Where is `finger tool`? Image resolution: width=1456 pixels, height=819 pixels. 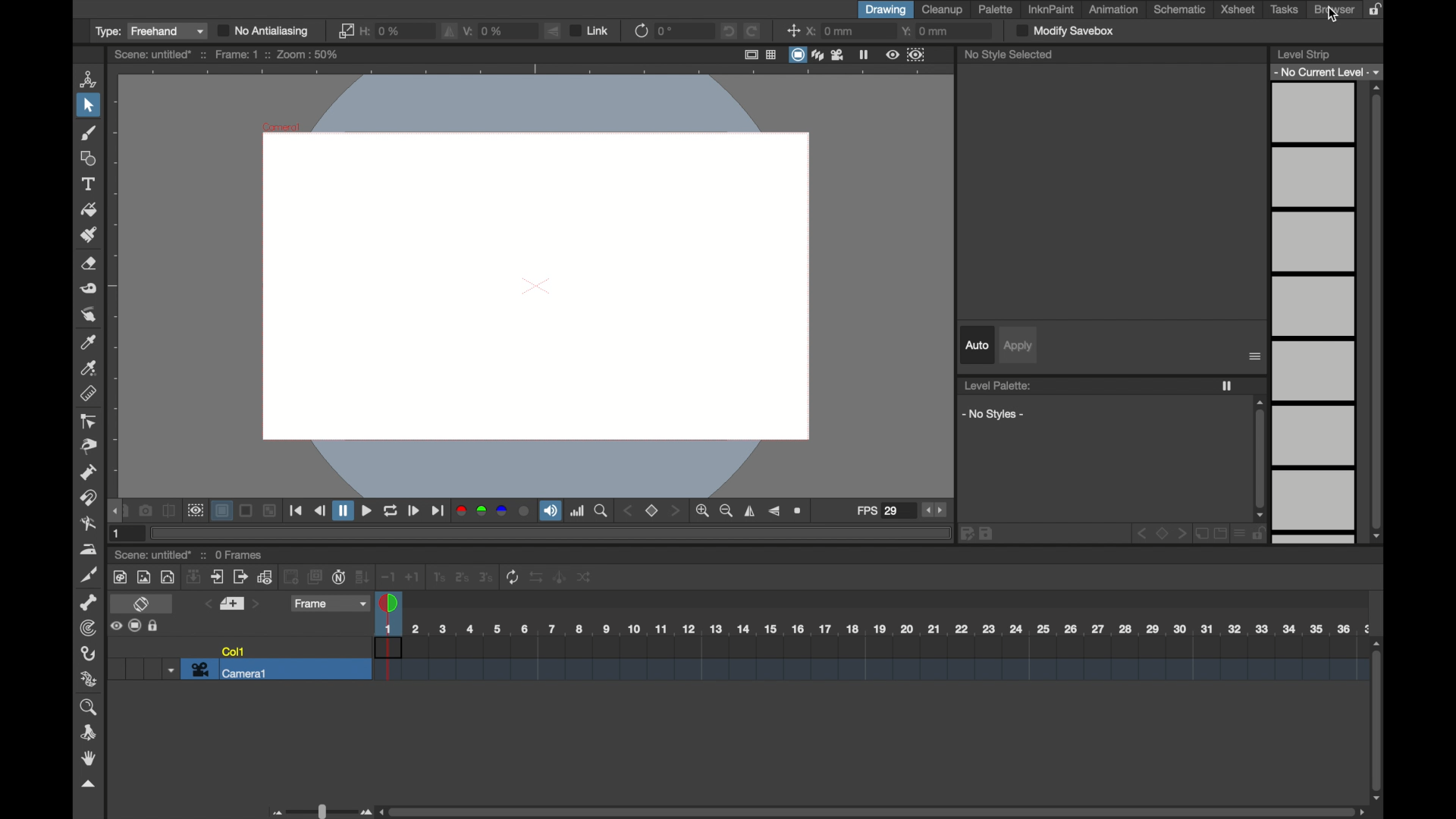 finger tool is located at coordinates (89, 314).